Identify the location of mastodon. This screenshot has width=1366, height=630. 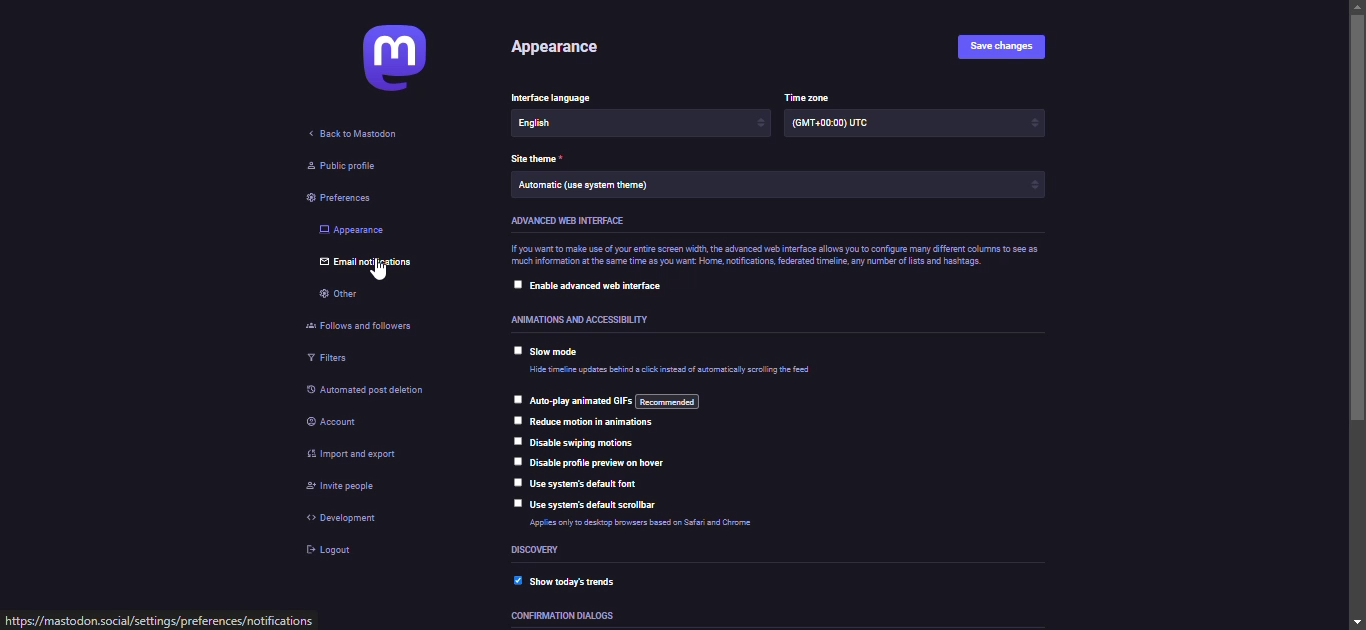
(401, 56).